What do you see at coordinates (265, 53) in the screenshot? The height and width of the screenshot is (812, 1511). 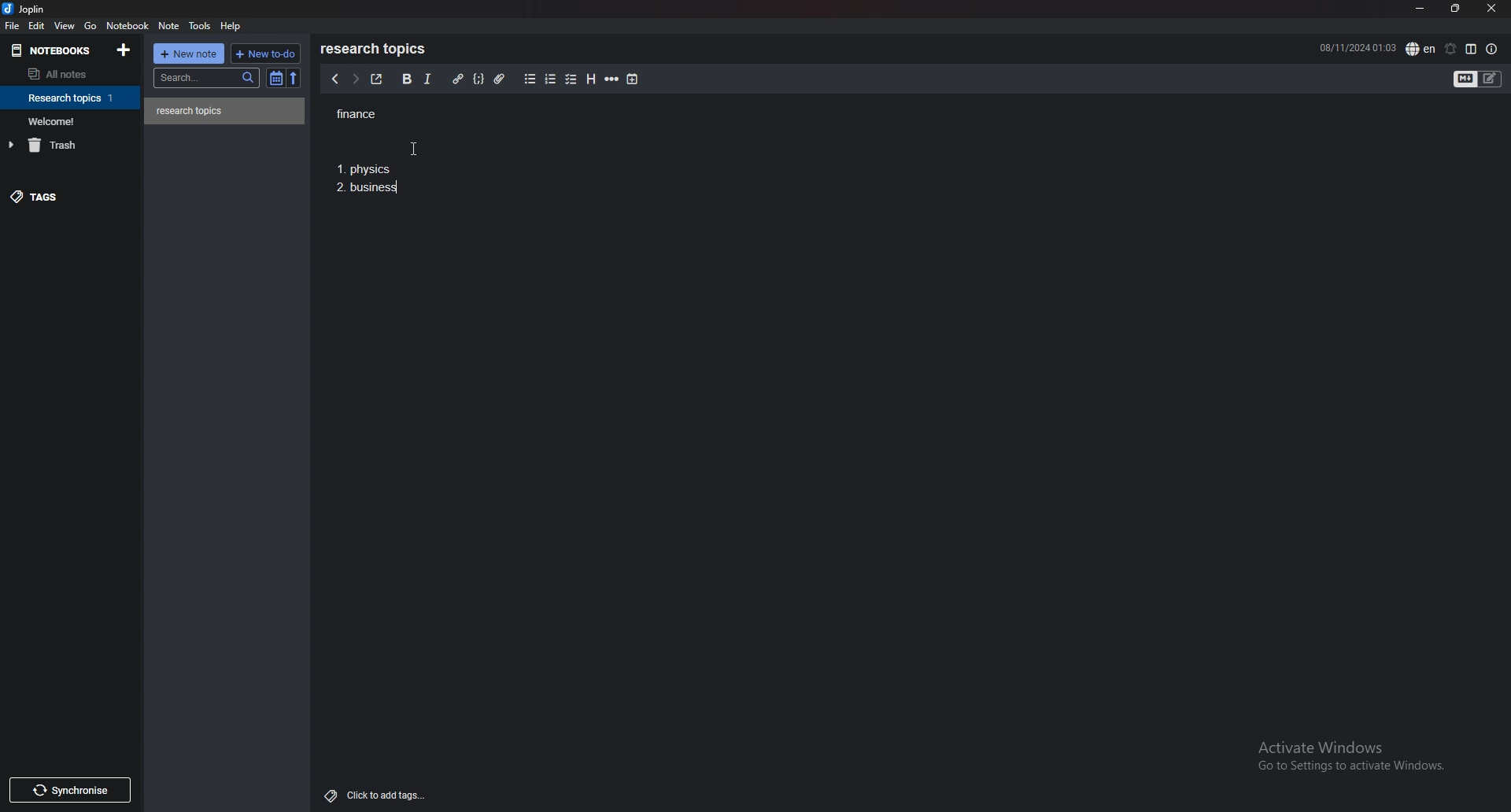 I see `new todo` at bounding box center [265, 53].